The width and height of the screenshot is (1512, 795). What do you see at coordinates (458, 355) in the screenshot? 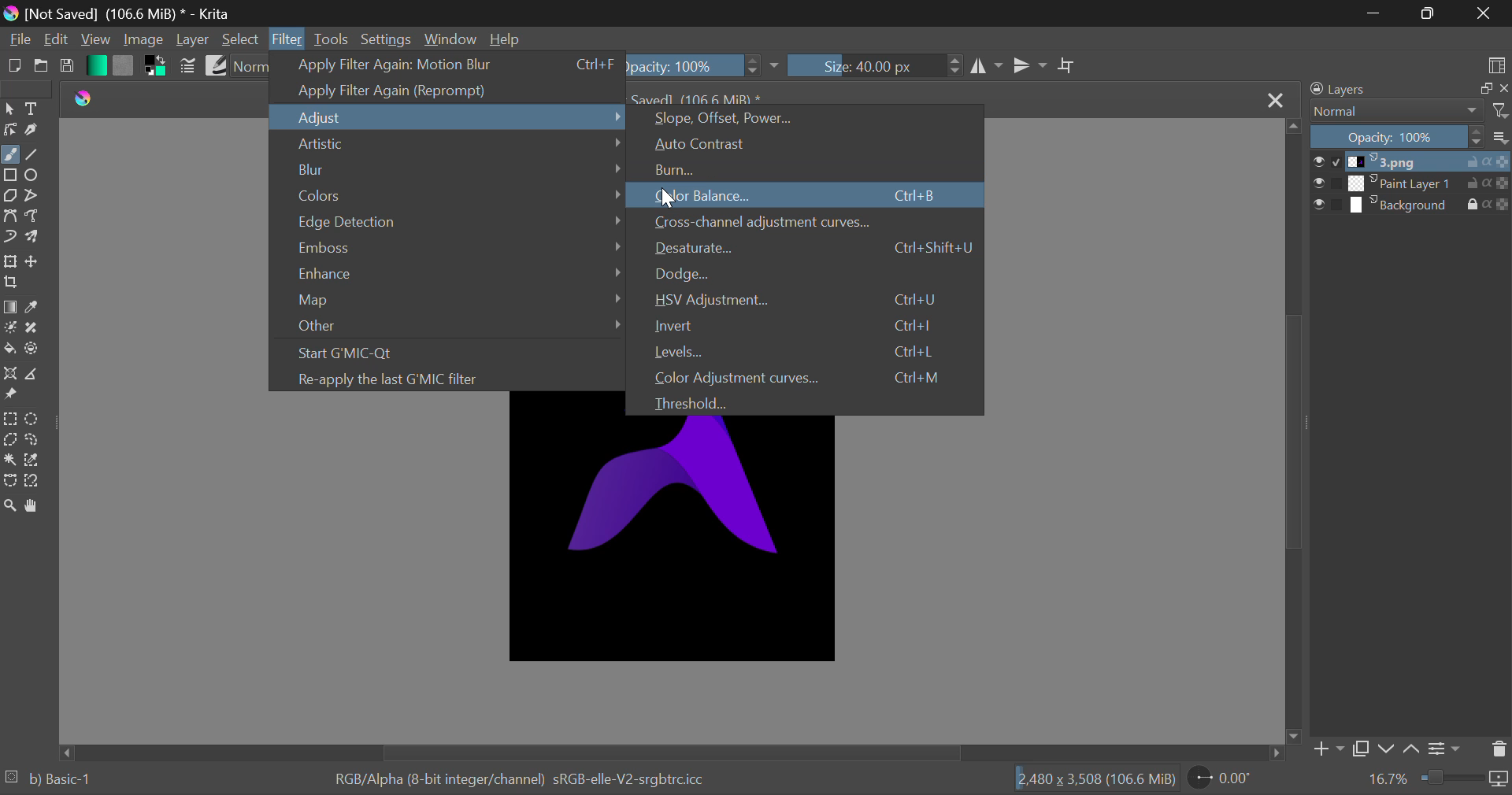
I see `Smart GMIC-Qt` at bounding box center [458, 355].